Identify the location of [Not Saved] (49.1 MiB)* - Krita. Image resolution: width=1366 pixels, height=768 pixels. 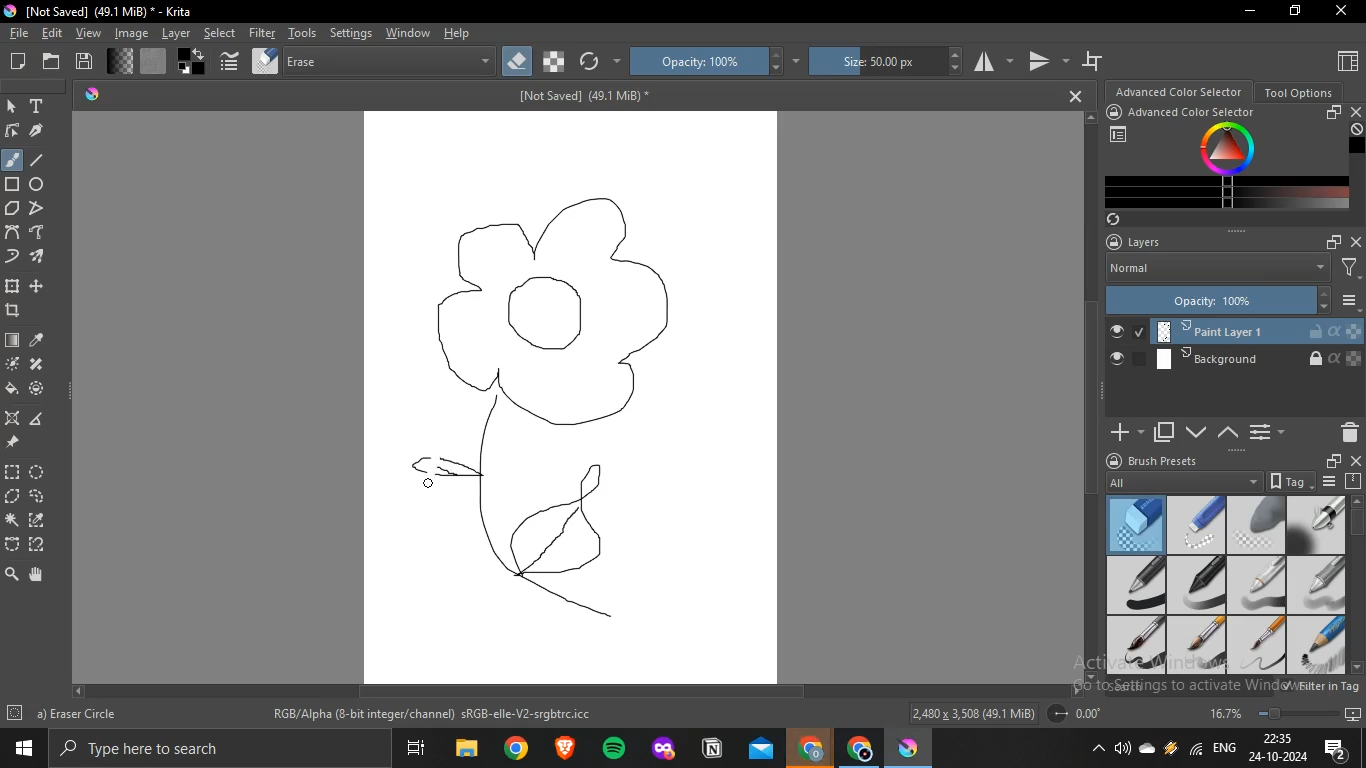
(115, 13).